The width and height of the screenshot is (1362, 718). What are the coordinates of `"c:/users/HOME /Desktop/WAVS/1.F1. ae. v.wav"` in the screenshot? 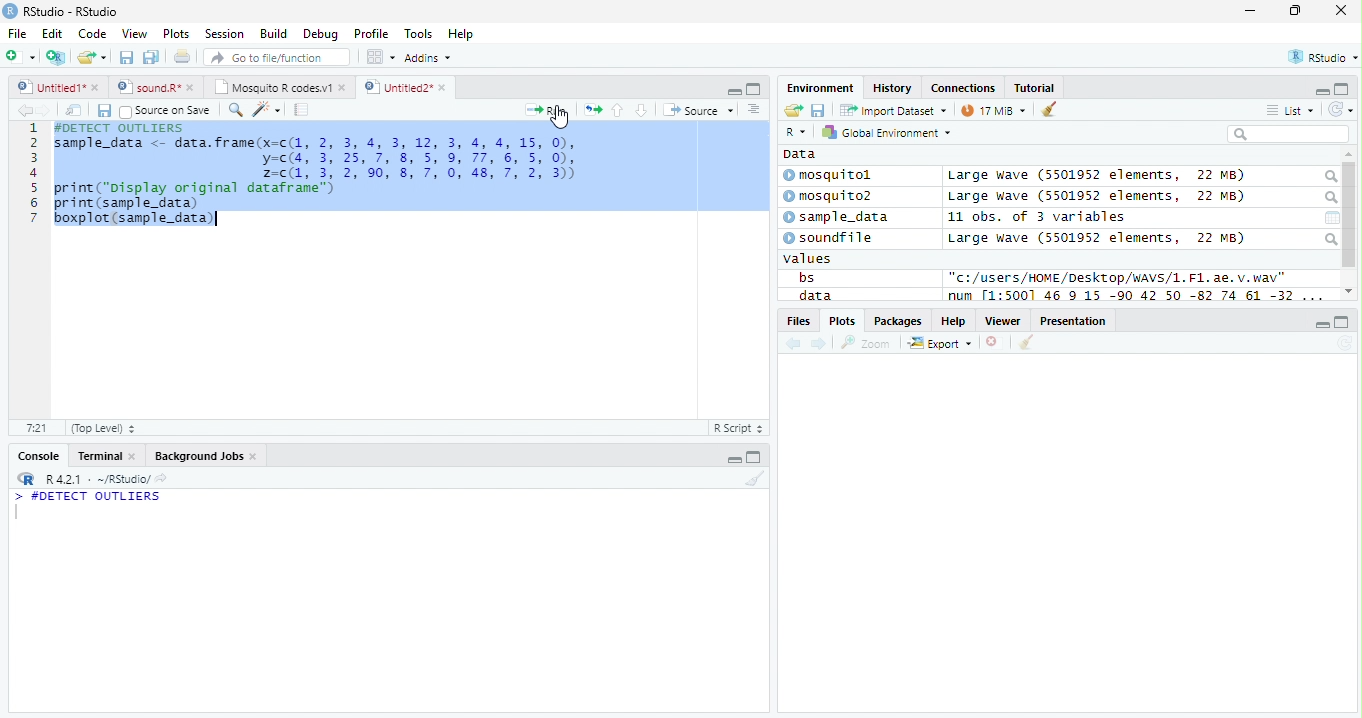 It's located at (1118, 277).